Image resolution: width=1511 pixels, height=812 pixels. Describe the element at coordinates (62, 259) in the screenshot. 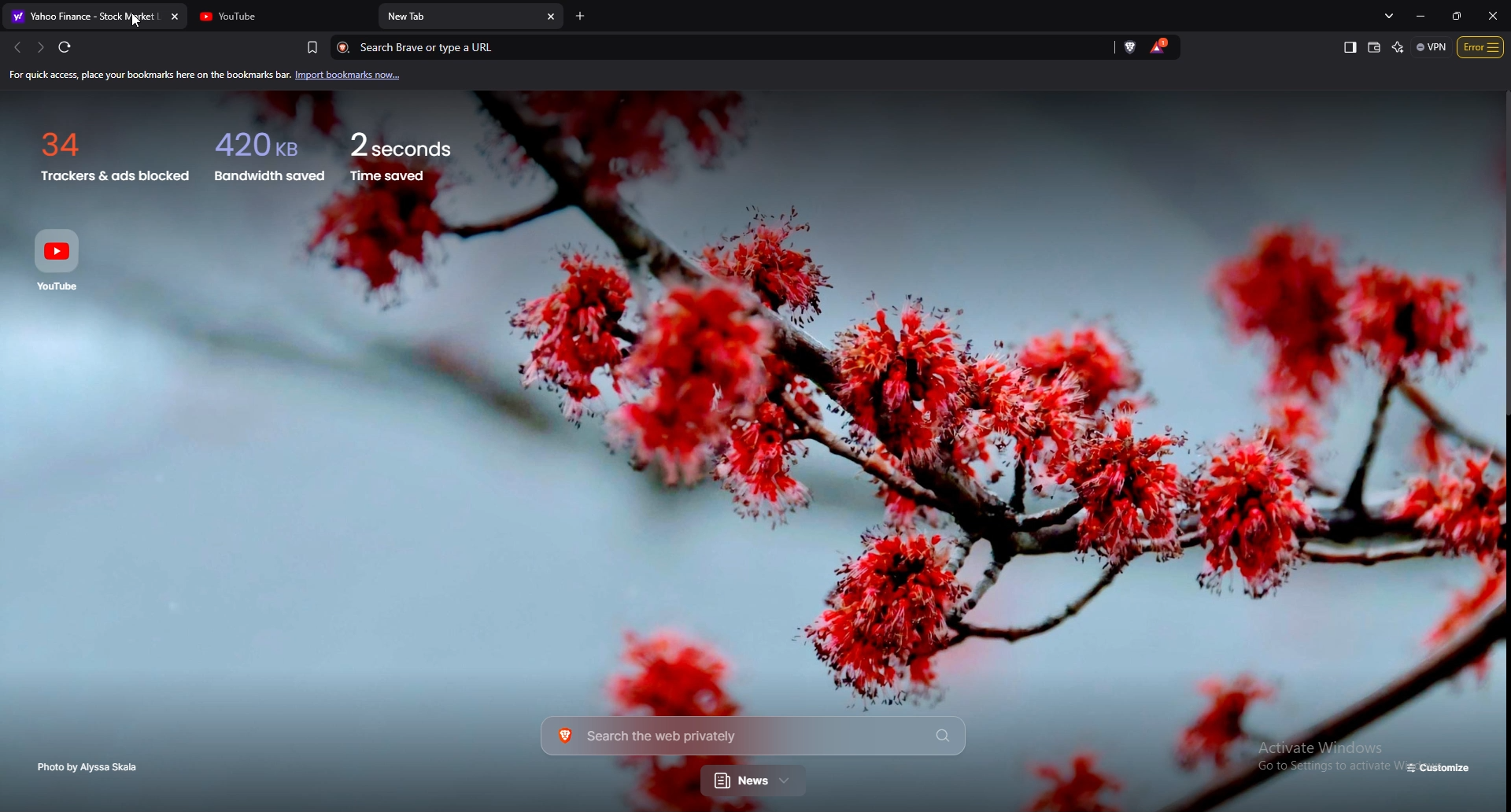

I see `Youtube` at that location.